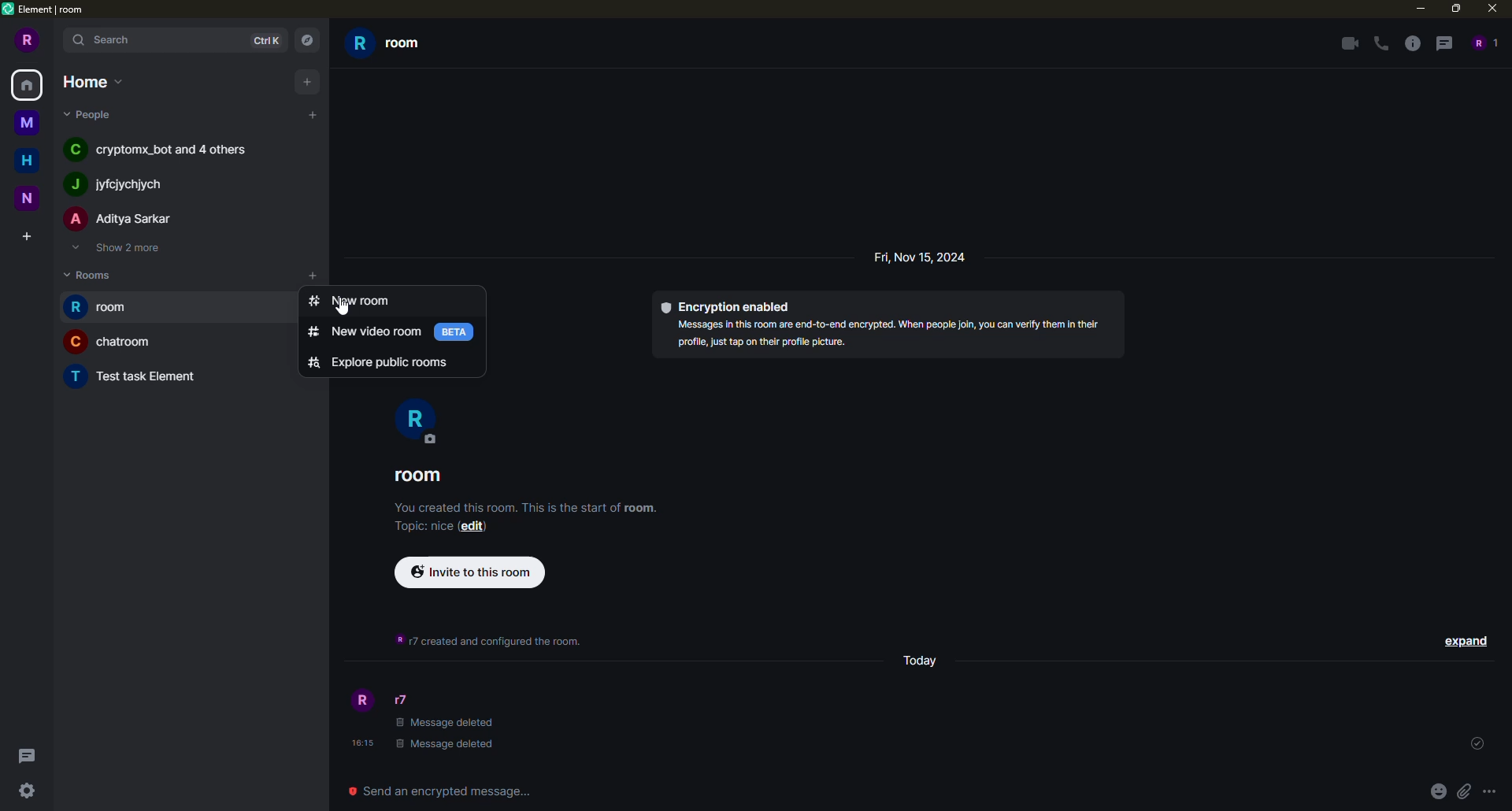 Image resolution: width=1512 pixels, height=811 pixels. What do you see at coordinates (369, 332) in the screenshot?
I see `new video room` at bounding box center [369, 332].